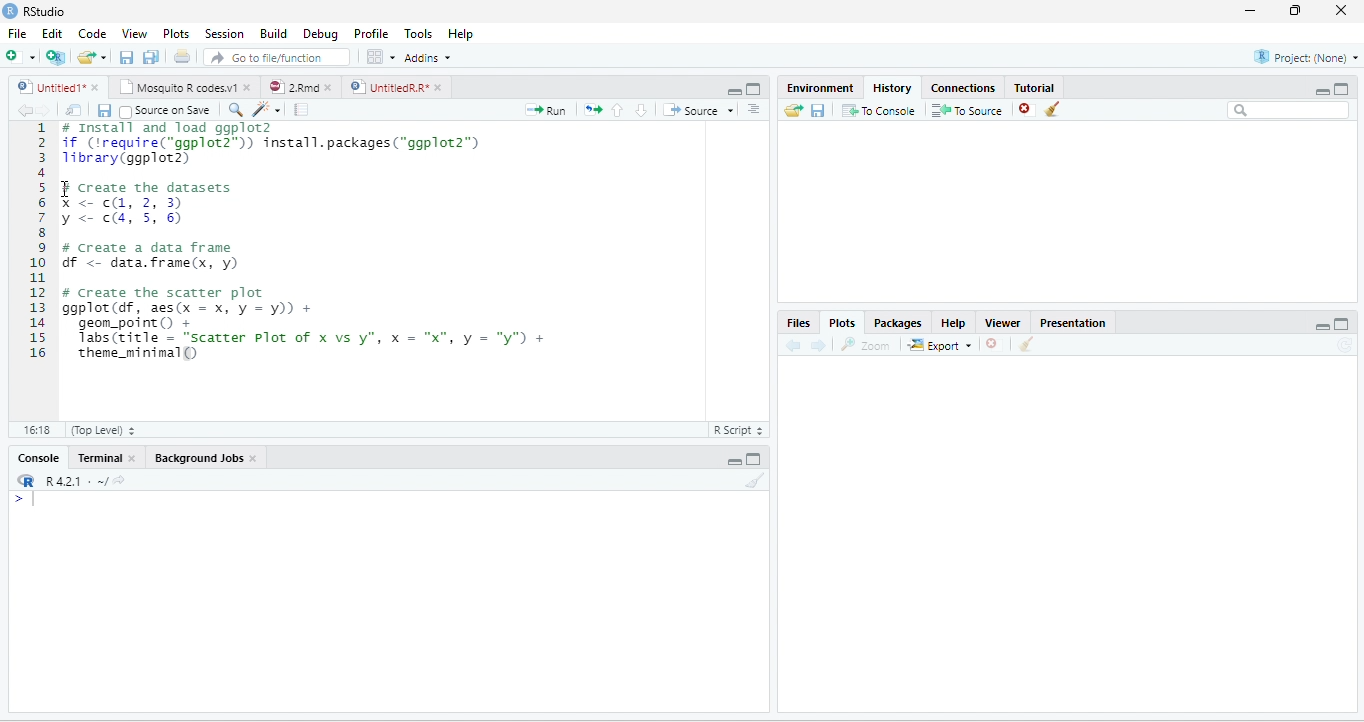 The width and height of the screenshot is (1364, 722). What do you see at coordinates (939, 345) in the screenshot?
I see `Export` at bounding box center [939, 345].